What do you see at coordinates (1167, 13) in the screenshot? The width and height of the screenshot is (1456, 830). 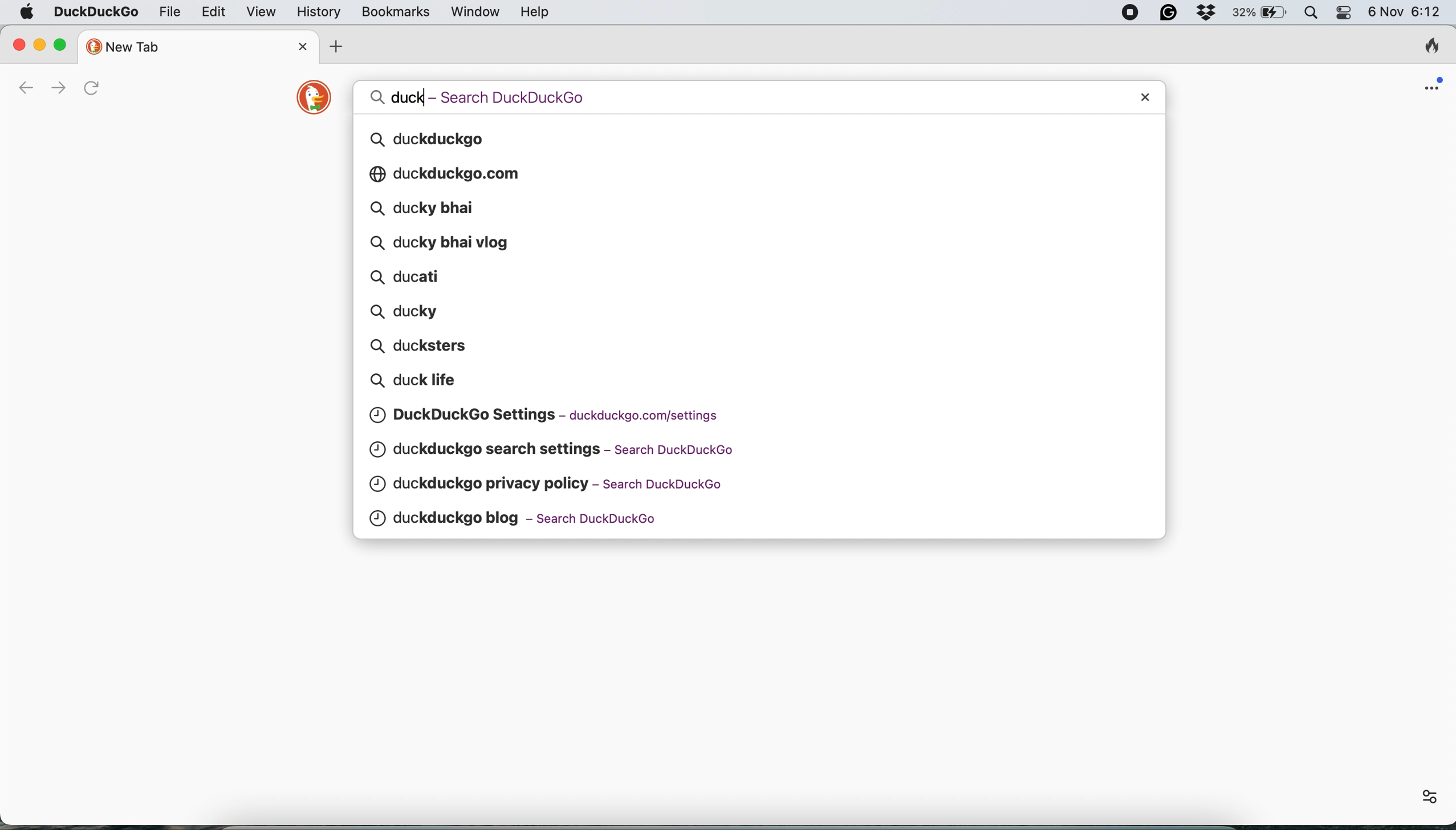 I see `grammarly` at bounding box center [1167, 13].